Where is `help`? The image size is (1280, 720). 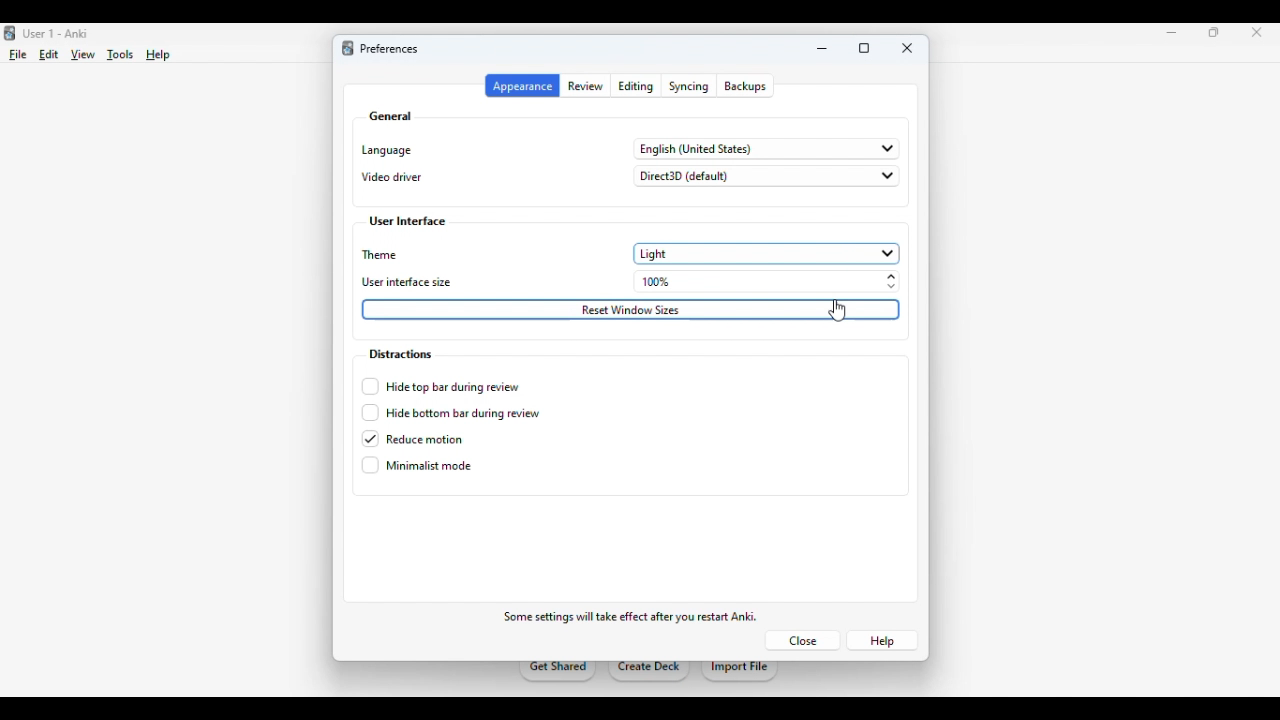
help is located at coordinates (158, 55).